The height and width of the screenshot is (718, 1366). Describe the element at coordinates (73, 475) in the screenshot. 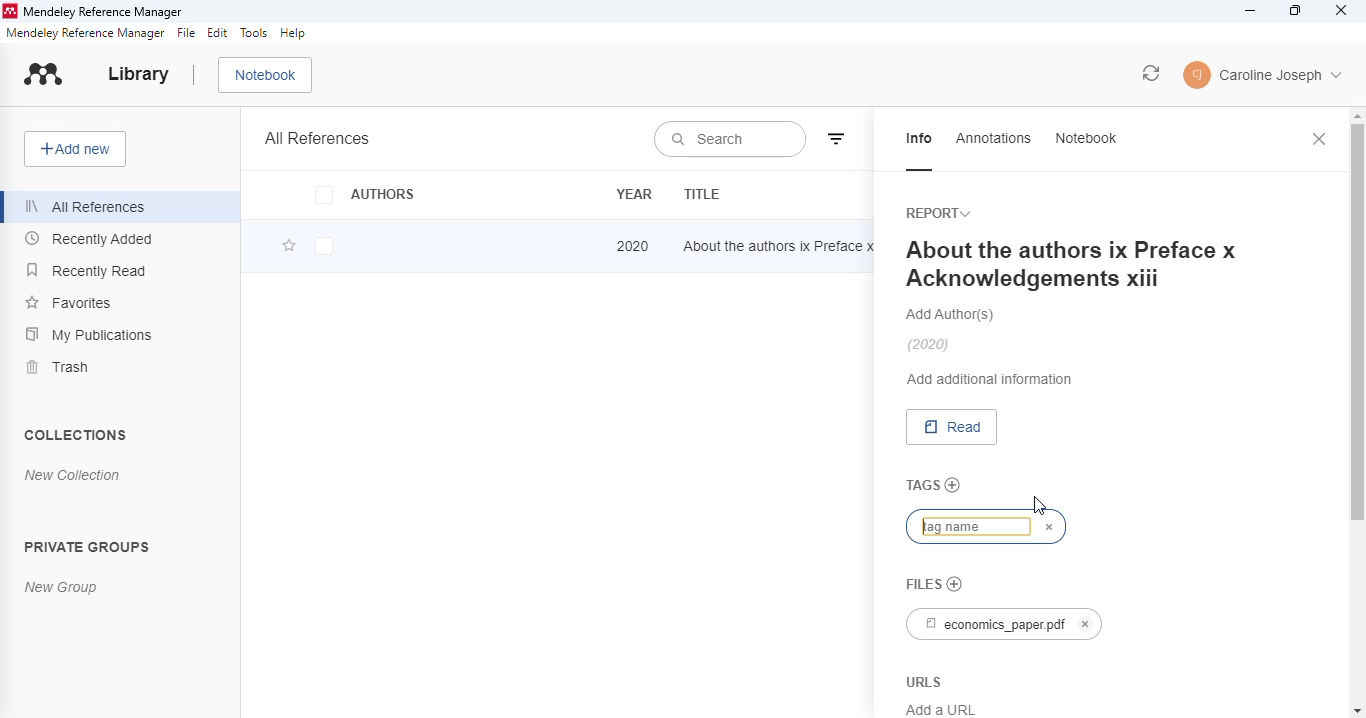

I see `new collection` at that location.